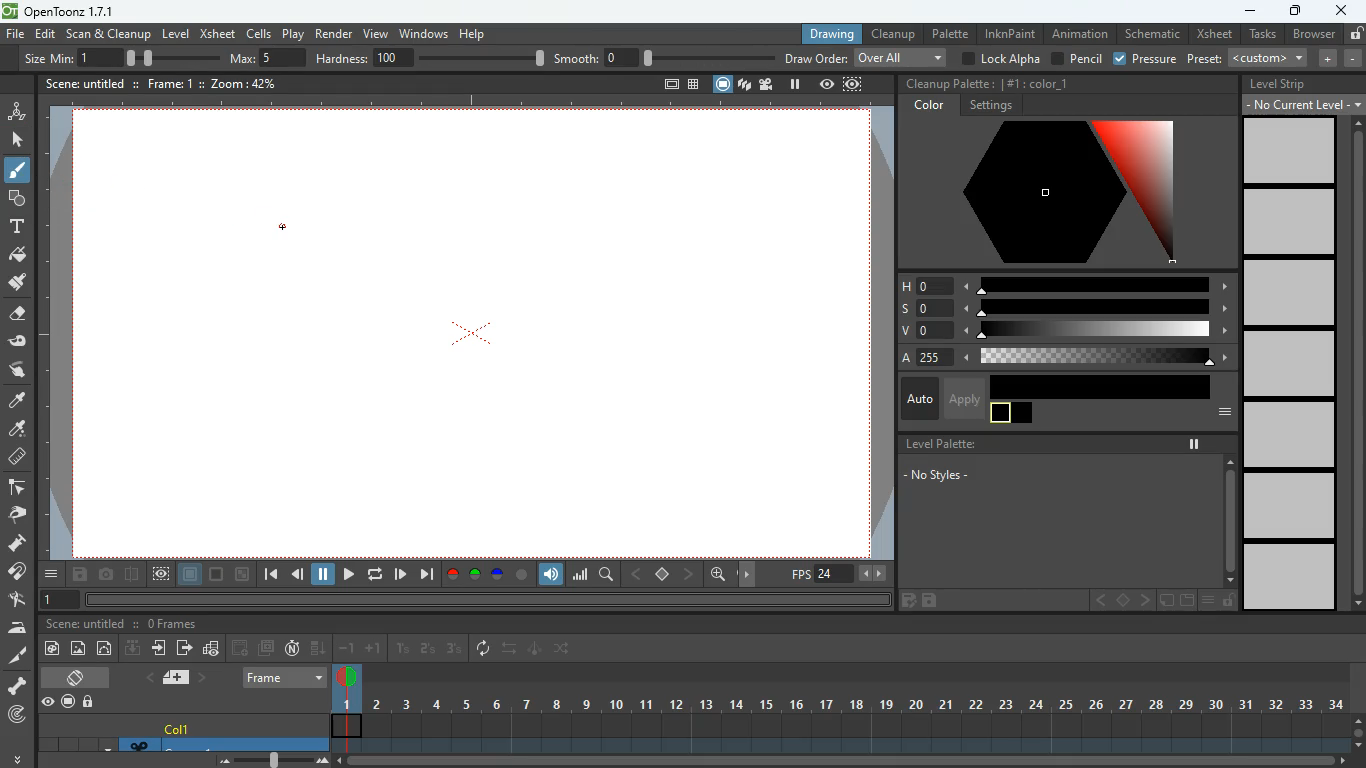  What do you see at coordinates (1082, 34) in the screenshot?
I see `animation` at bounding box center [1082, 34].